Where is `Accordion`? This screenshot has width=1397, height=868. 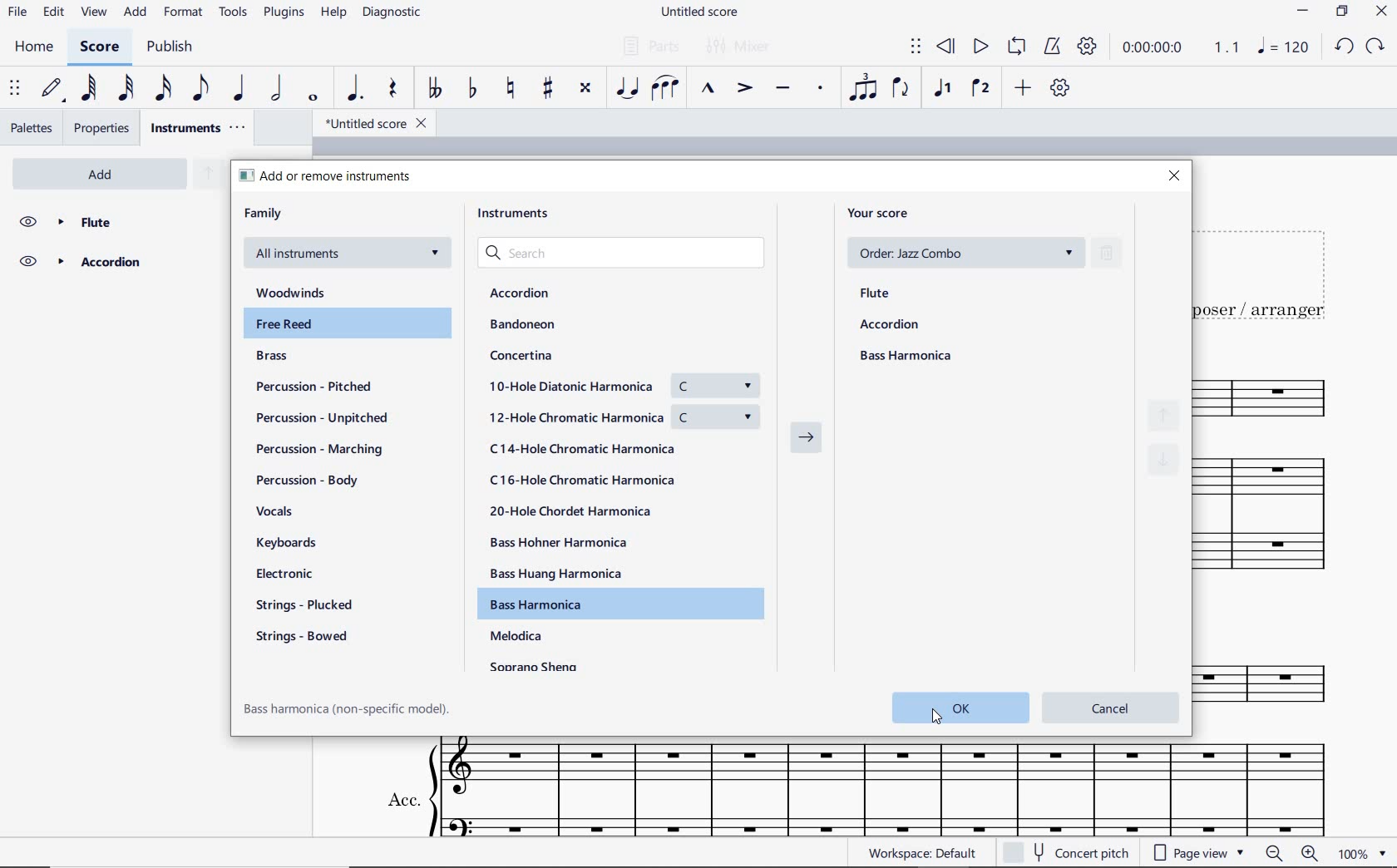 Accordion is located at coordinates (521, 293).